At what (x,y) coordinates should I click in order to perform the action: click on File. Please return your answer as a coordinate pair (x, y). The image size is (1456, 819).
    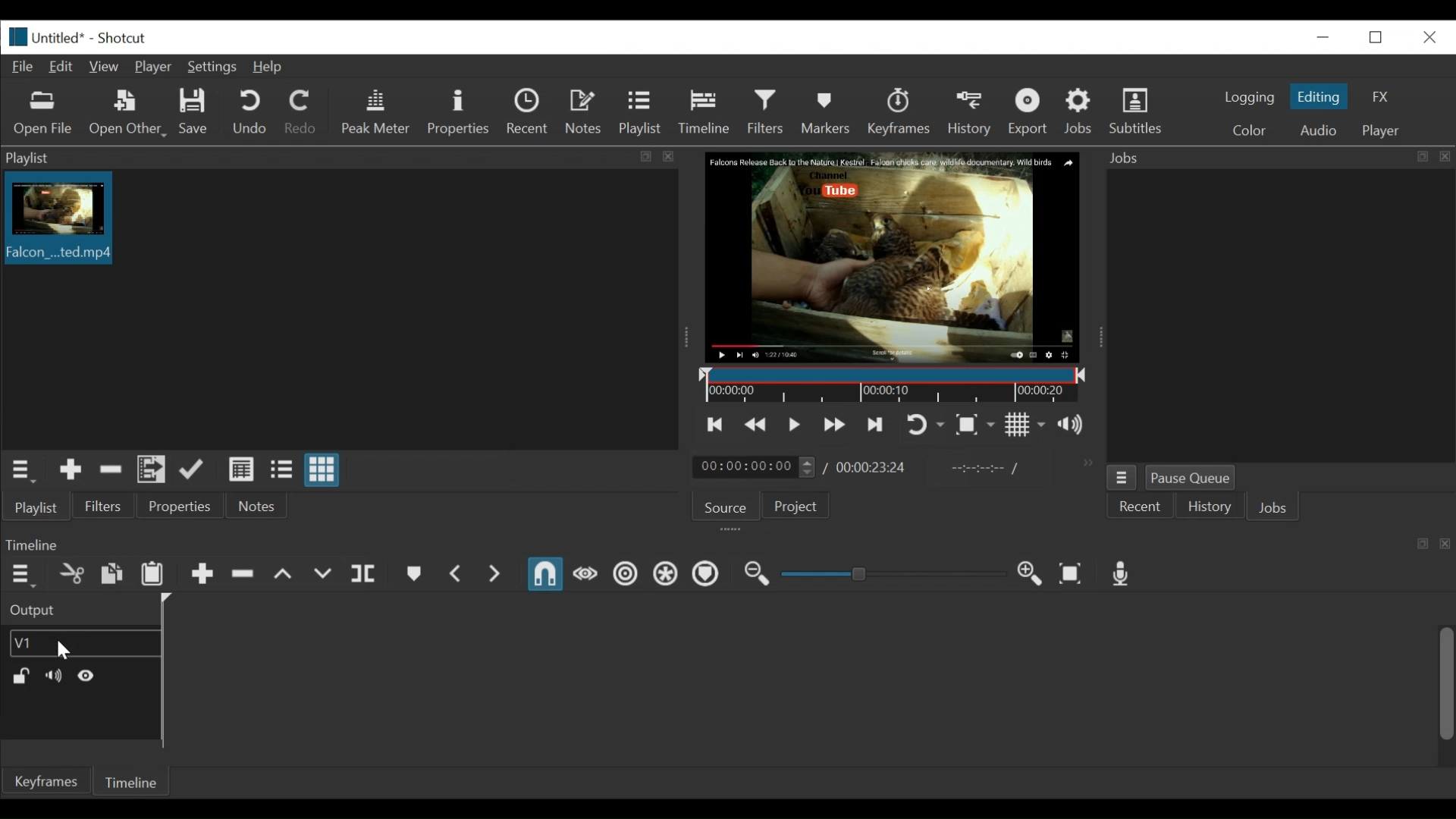
    Looking at the image, I should click on (22, 67).